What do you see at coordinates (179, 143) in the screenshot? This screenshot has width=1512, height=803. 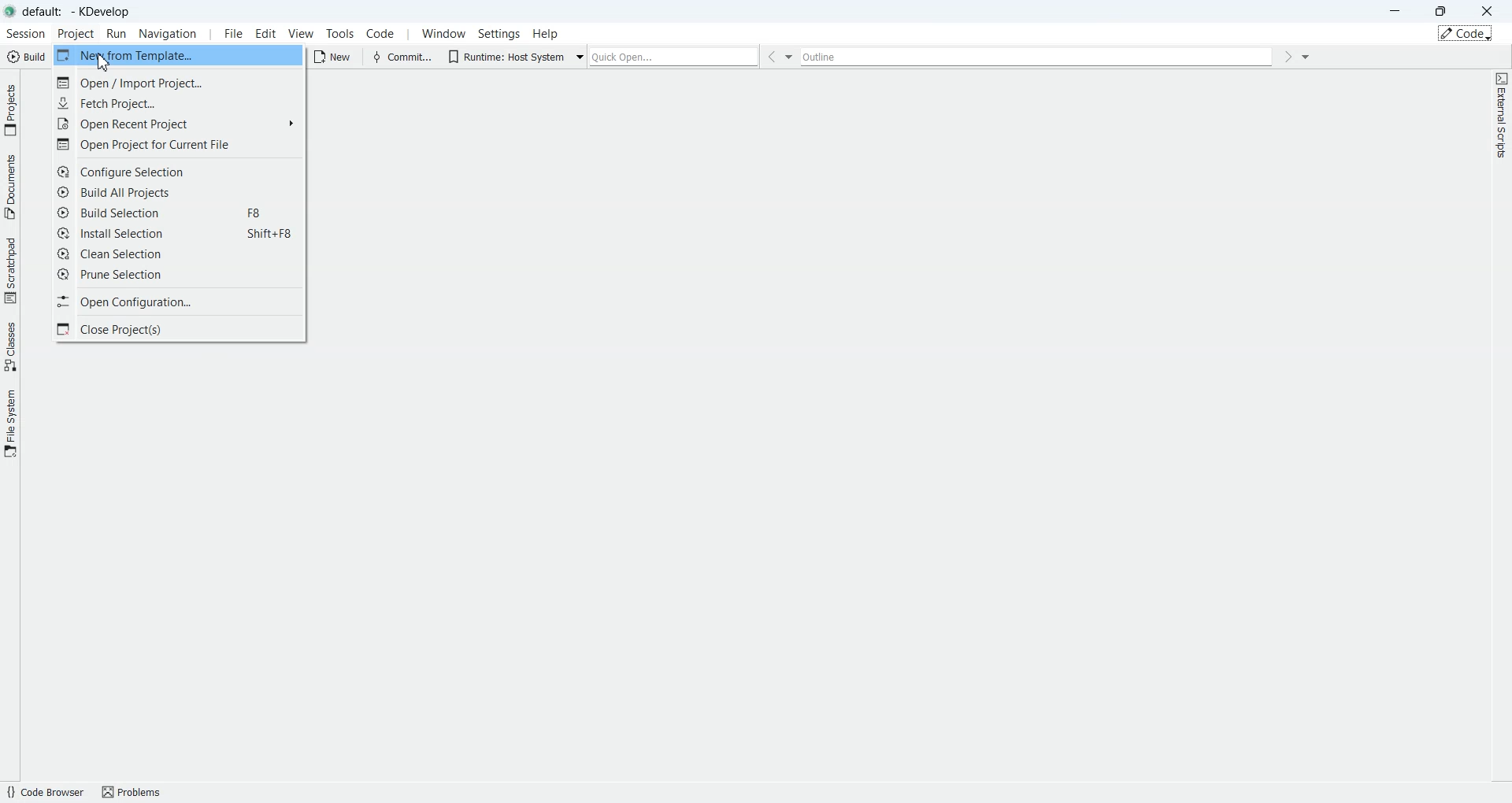 I see `Open Project for current File` at bounding box center [179, 143].